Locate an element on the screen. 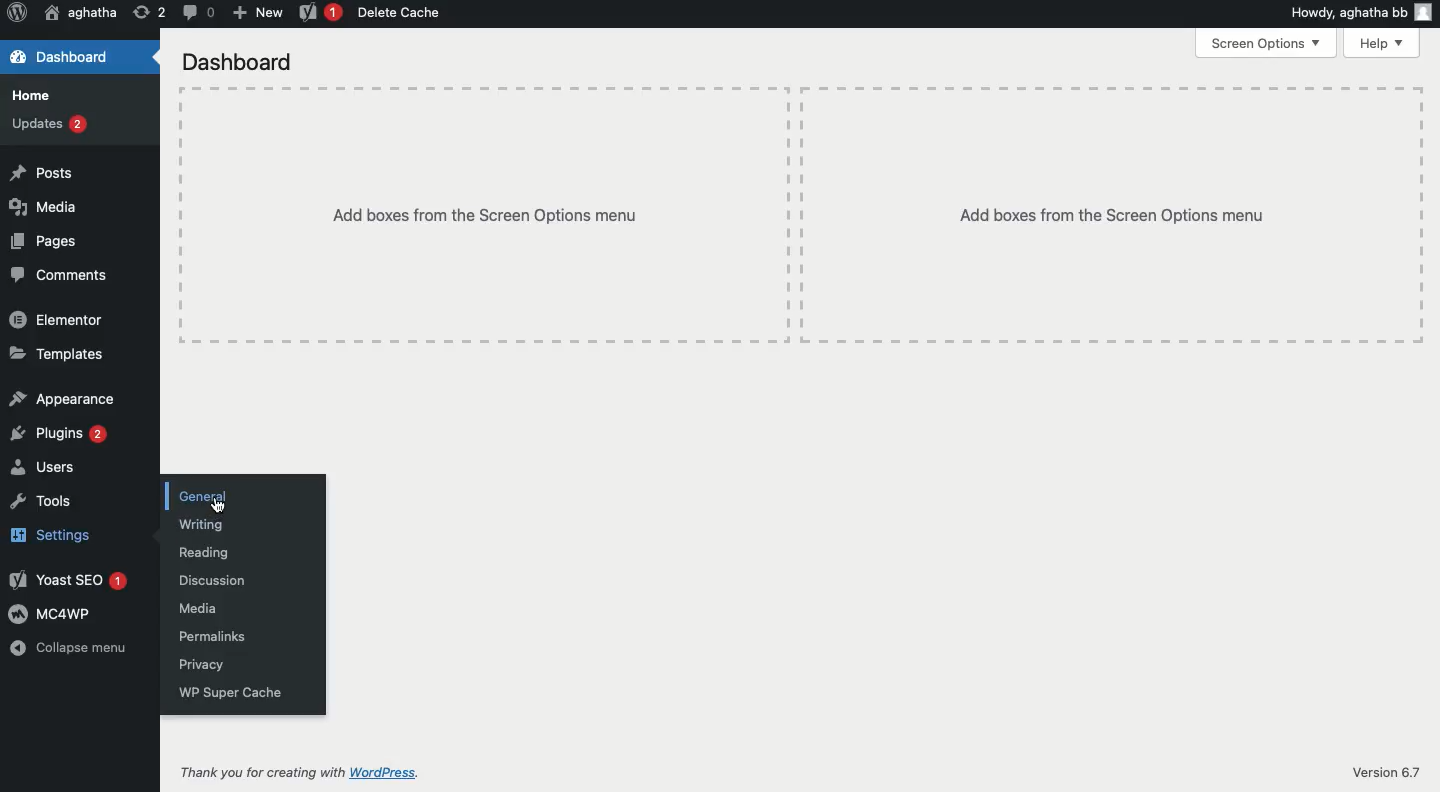  Appearance is located at coordinates (60, 397).